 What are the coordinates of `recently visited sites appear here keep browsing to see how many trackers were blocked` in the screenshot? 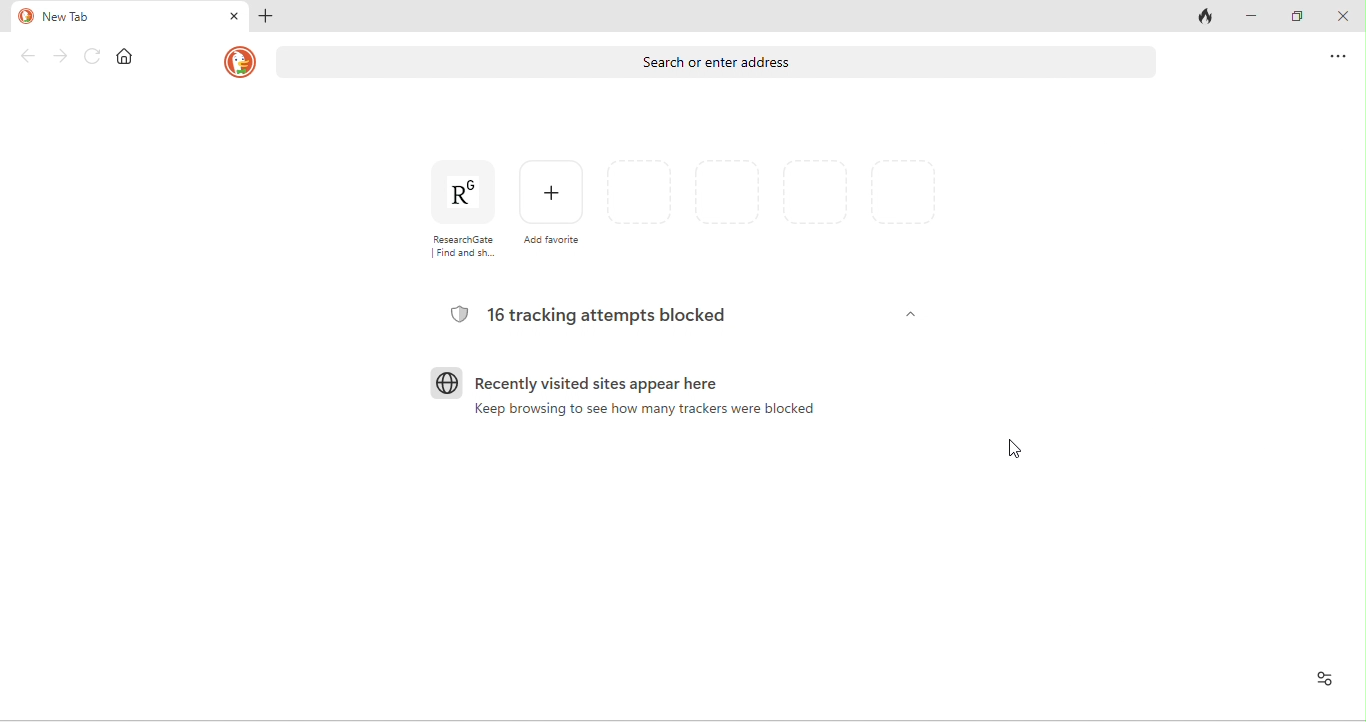 It's located at (625, 403).